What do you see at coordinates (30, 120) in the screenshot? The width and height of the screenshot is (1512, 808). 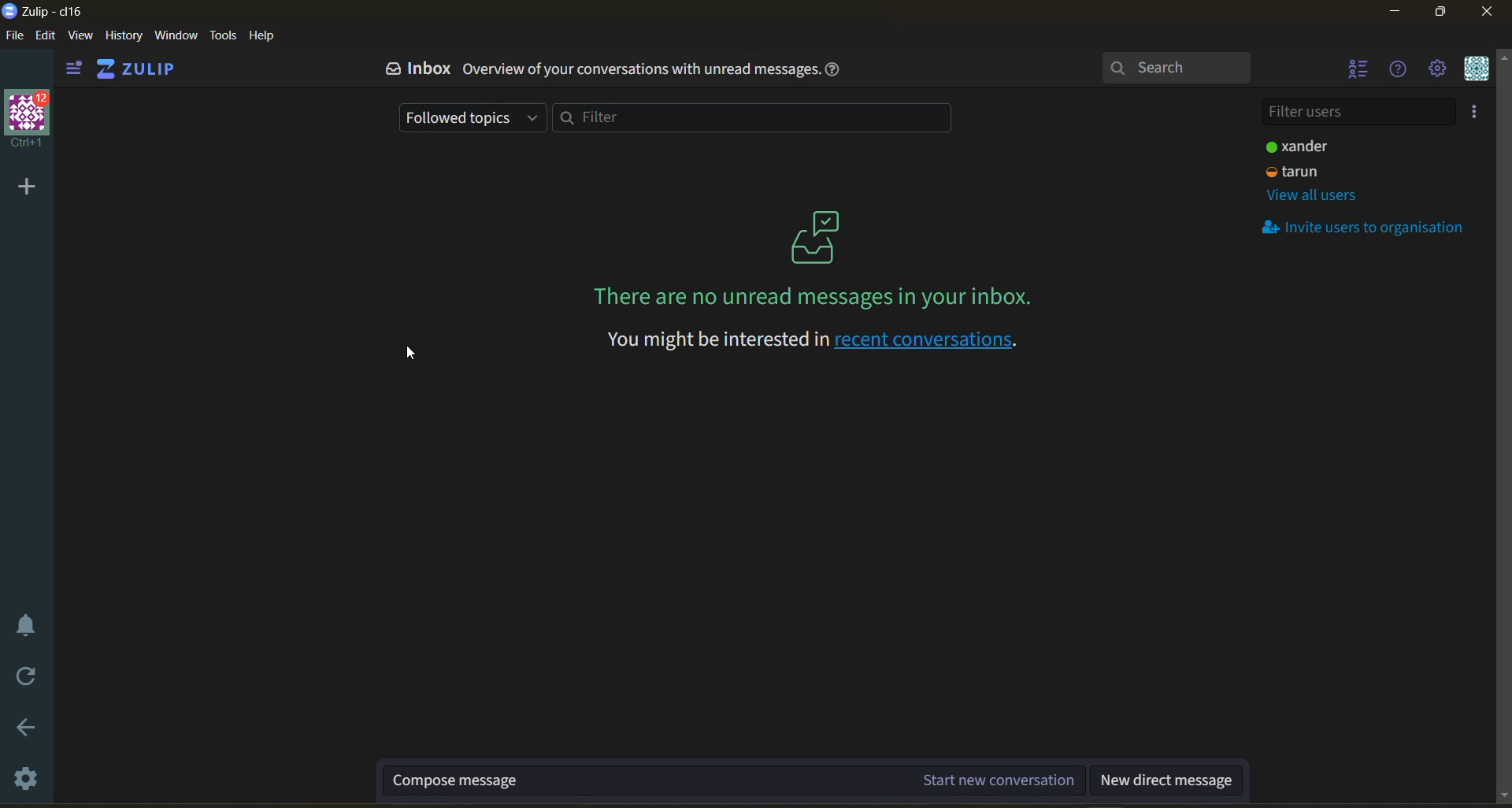 I see `organisation profile and name` at bounding box center [30, 120].